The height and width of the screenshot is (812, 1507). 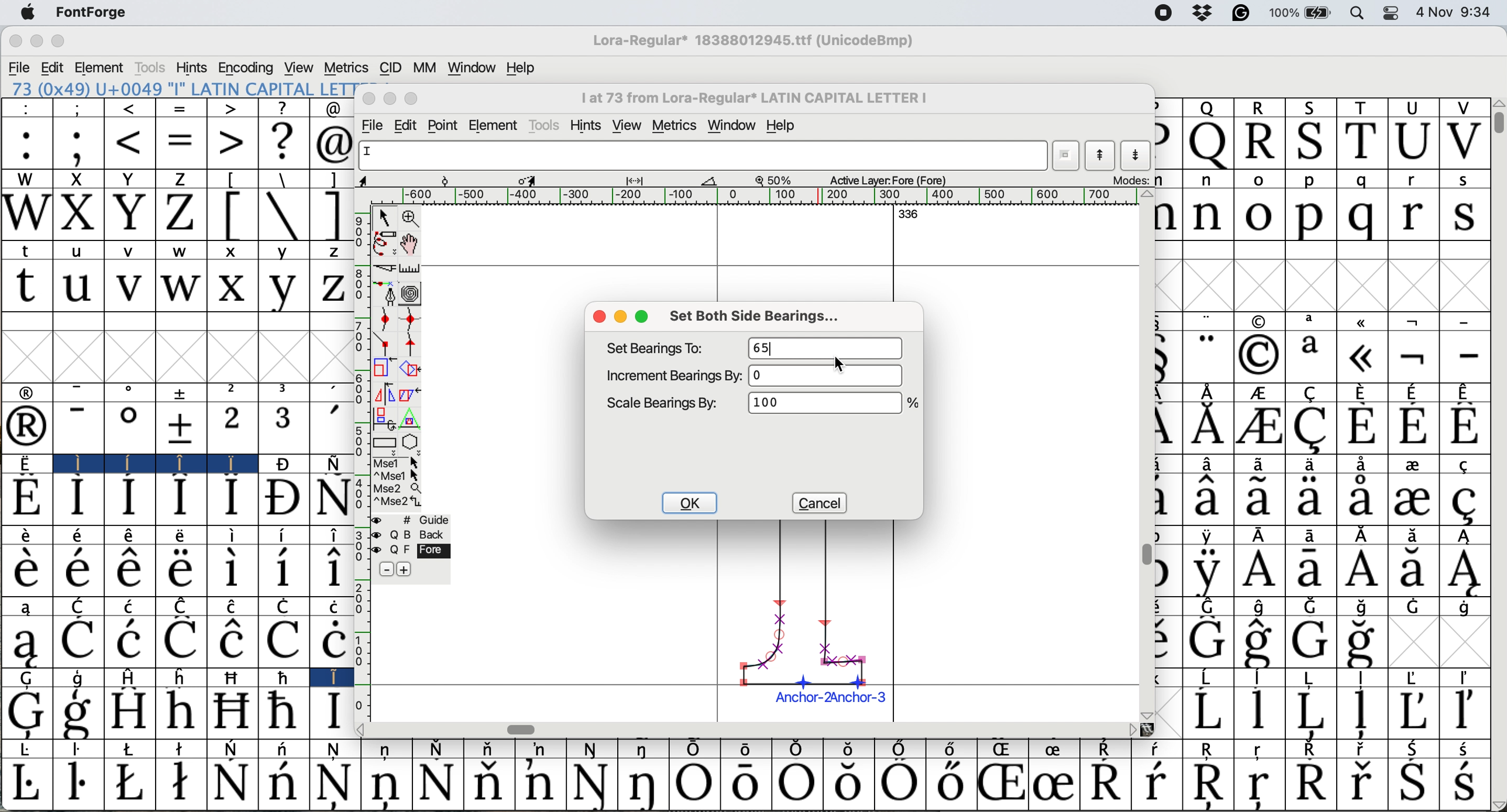 I want to click on add a curve point horizontally or vertically, so click(x=410, y=319).